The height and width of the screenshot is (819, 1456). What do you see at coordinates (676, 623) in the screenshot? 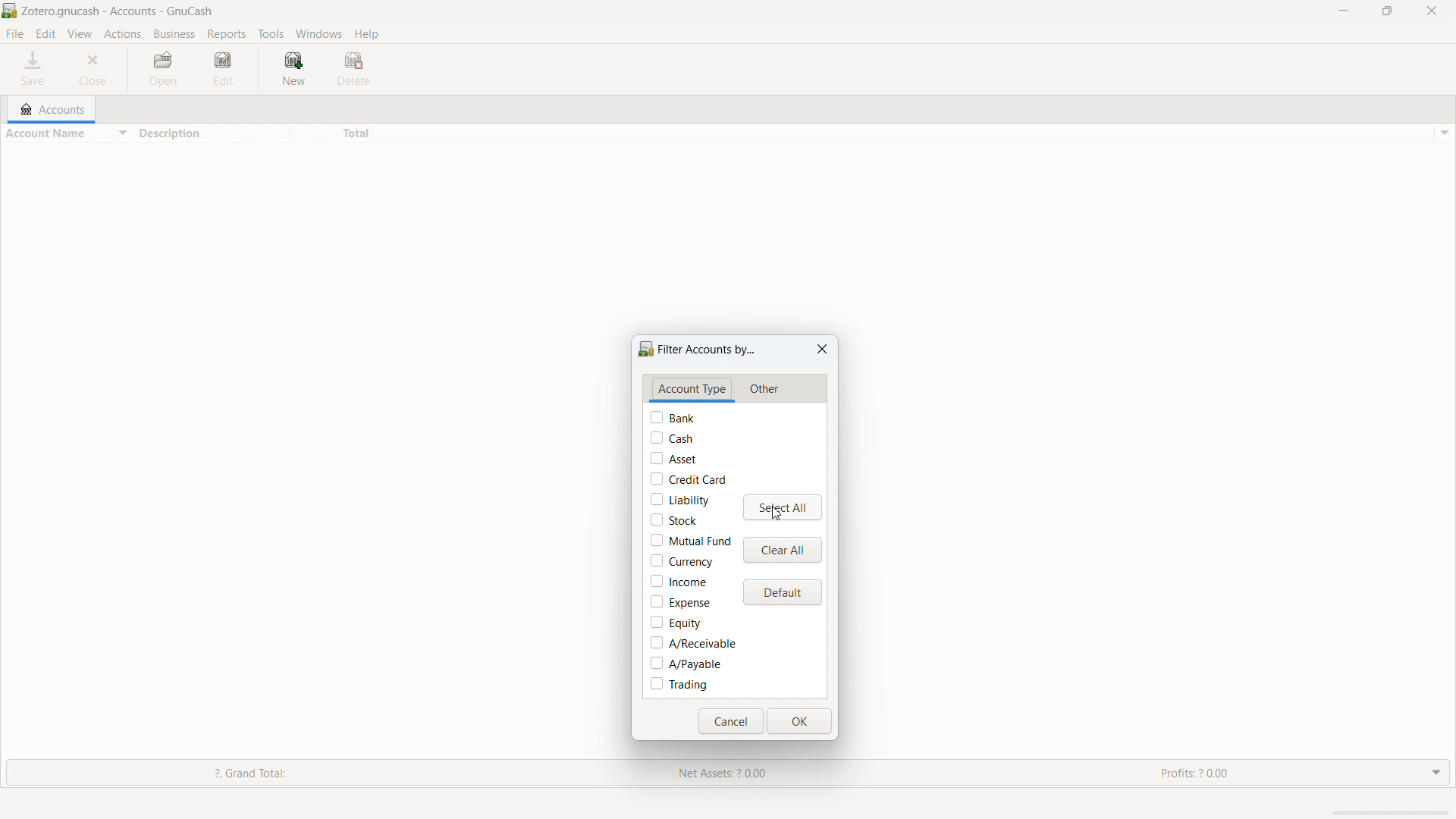
I see `equity` at bounding box center [676, 623].